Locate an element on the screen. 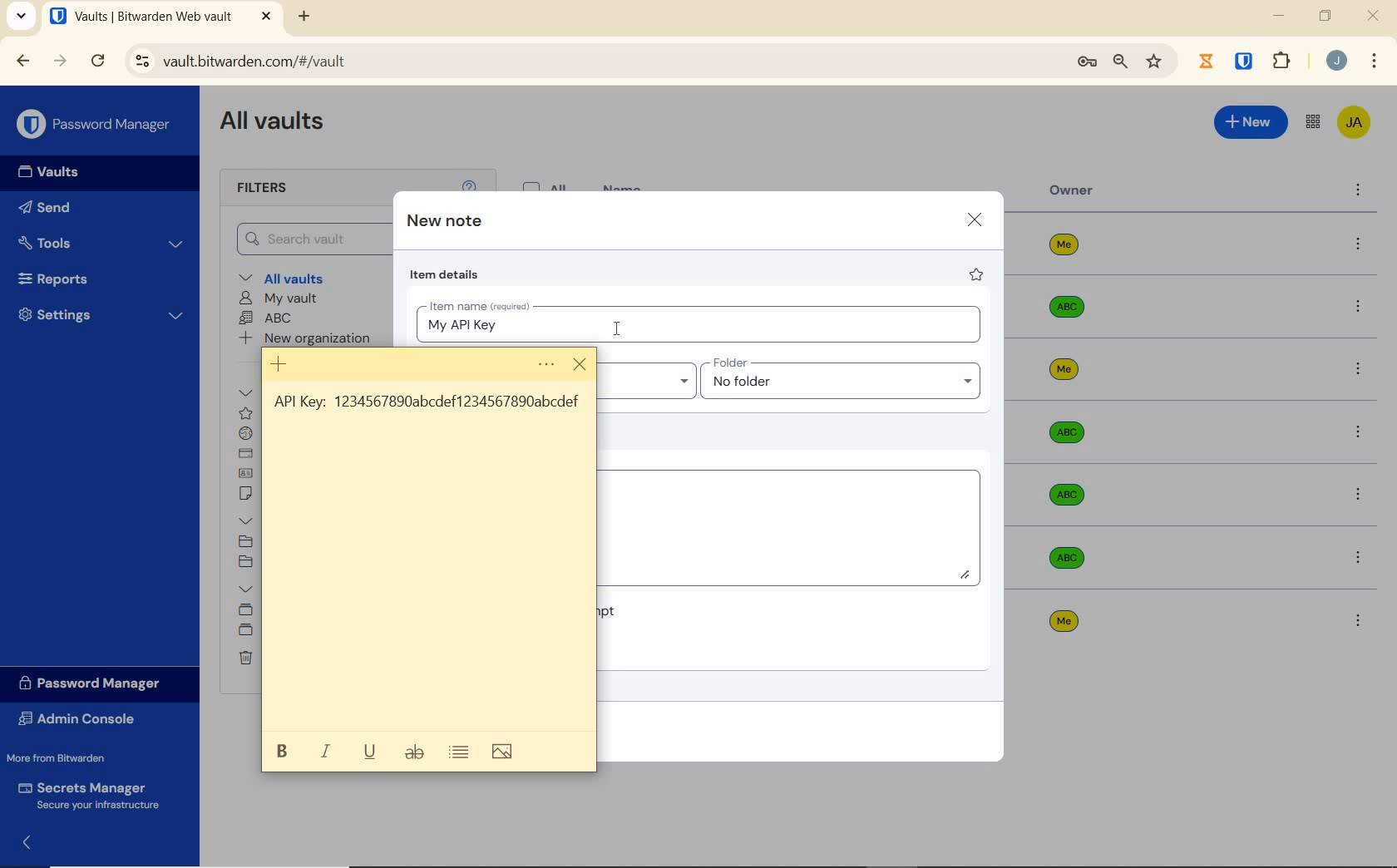  close is located at coordinates (975, 219).